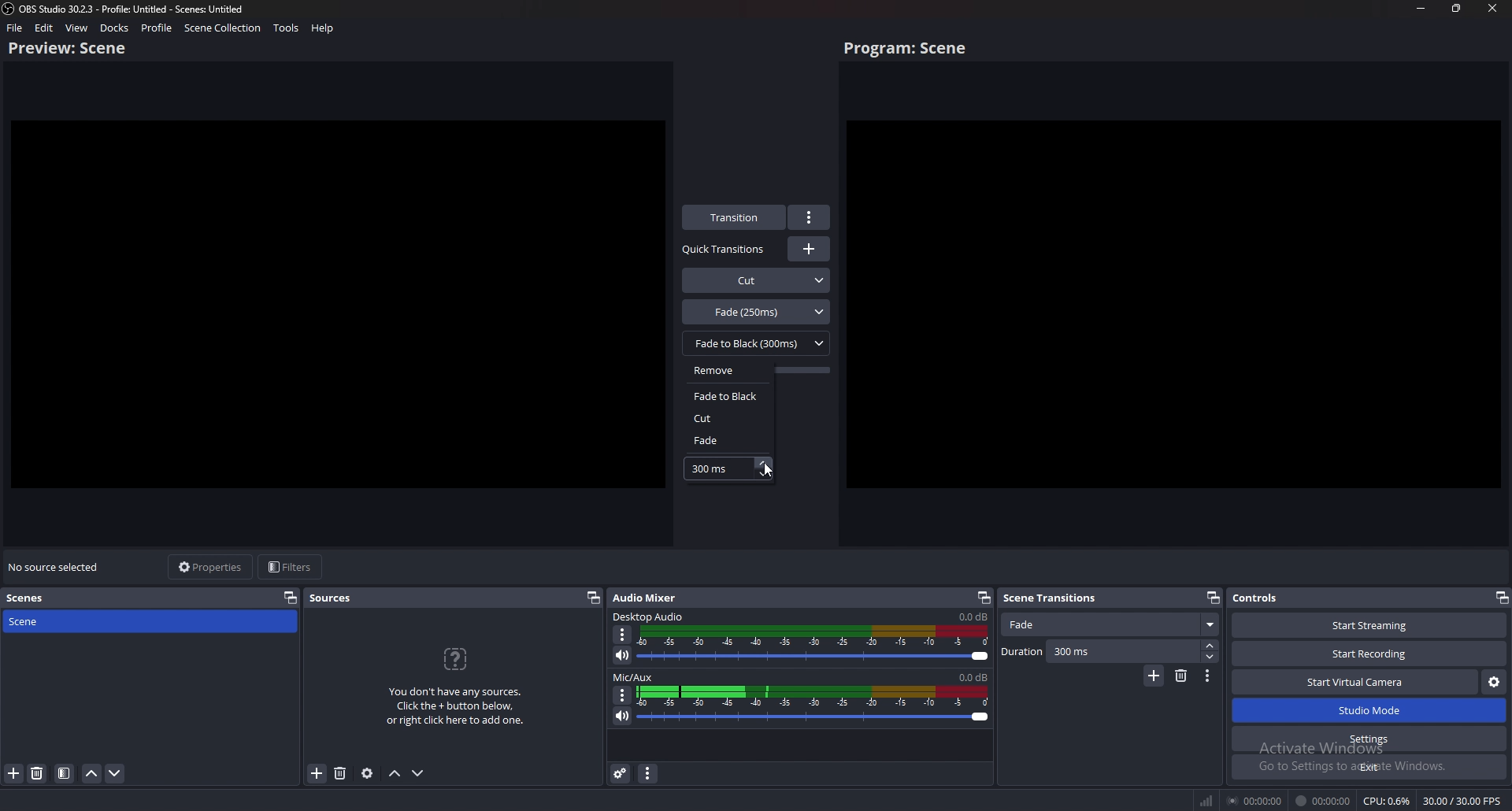 The image size is (1512, 811). What do you see at coordinates (65, 774) in the screenshot?
I see `filter` at bounding box center [65, 774].